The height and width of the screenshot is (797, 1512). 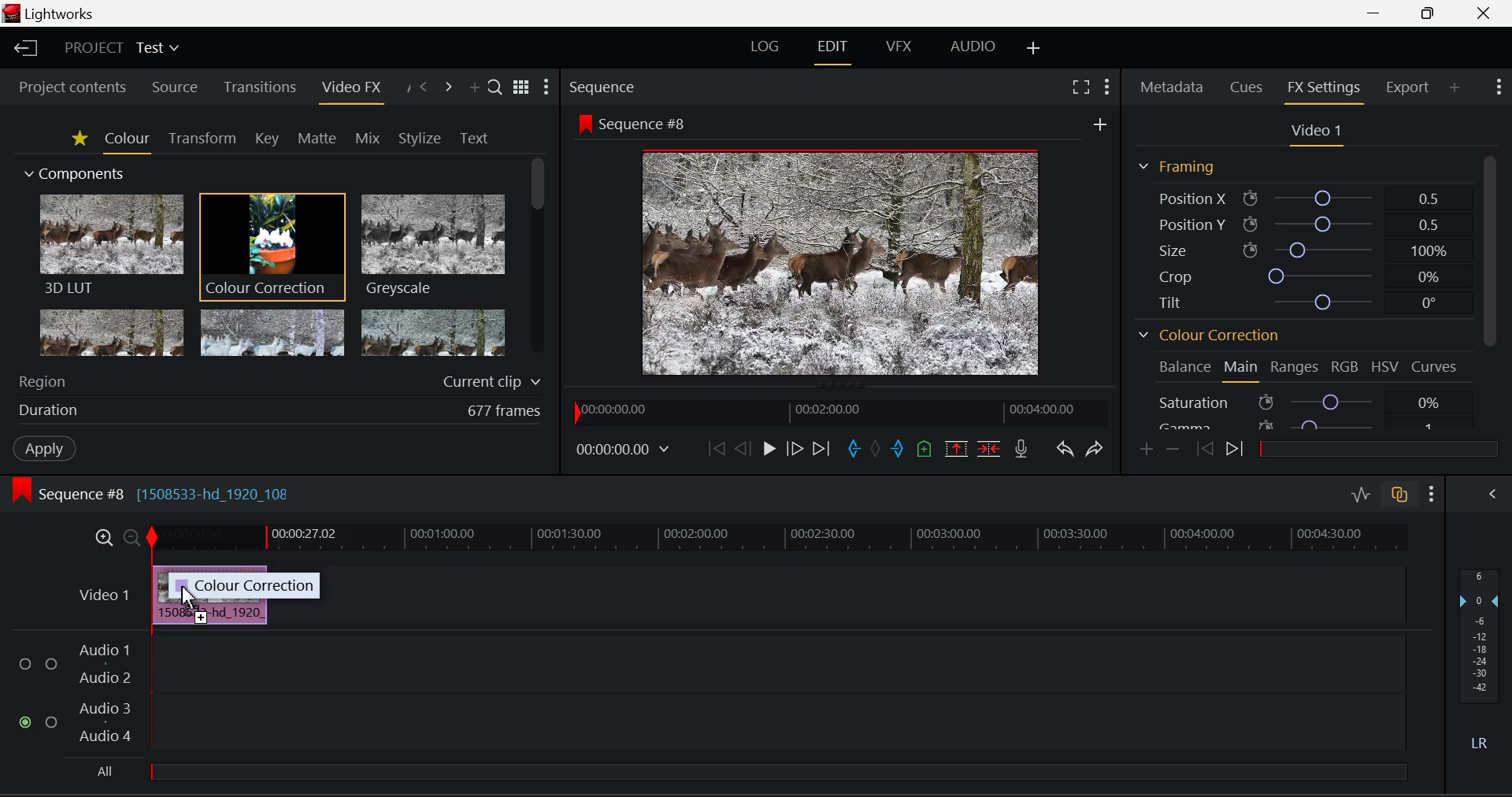 What do you see at coordinates (103, 539) in the screenshot?
I see `Timeline Zoom In` at bounding box center [103, 539].